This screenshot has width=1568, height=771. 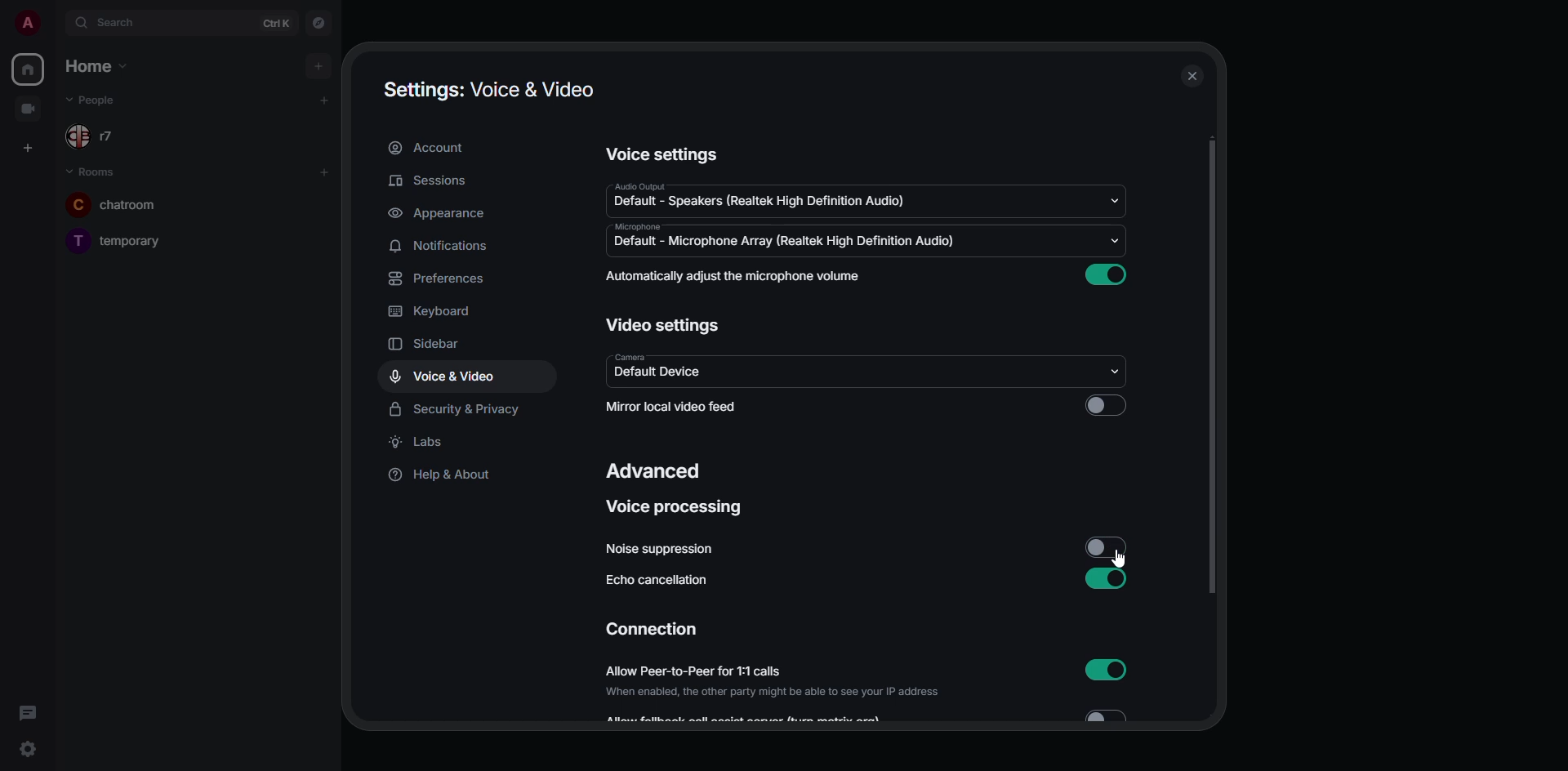 I want to click on enabled, so click(x=1106, y=671).